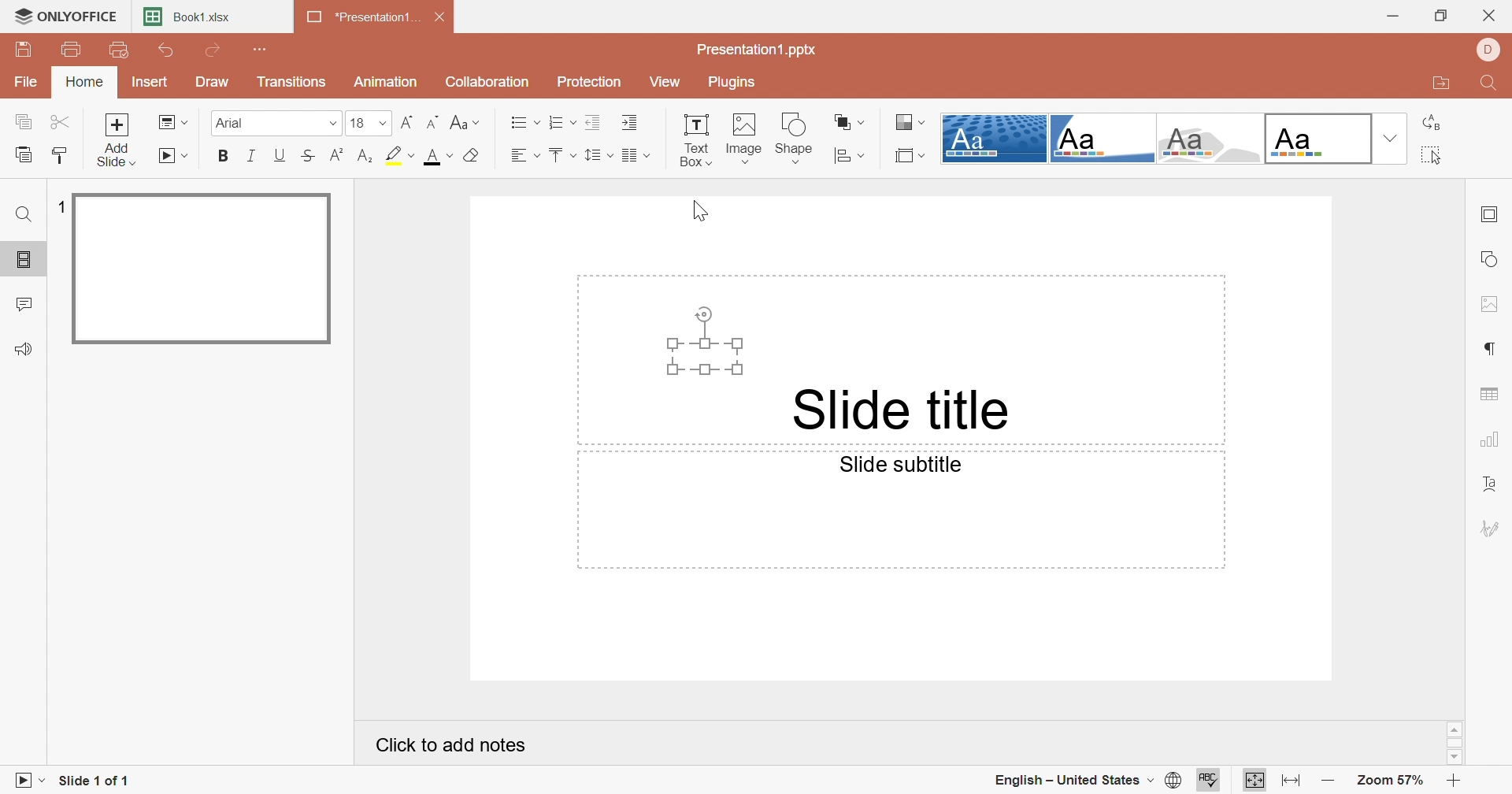 This screenshot has width=1512, height=794. What do you see at coordinates (1435, 123) in the screenshot?
I see `Replace` at bounding box center [1435, 123].